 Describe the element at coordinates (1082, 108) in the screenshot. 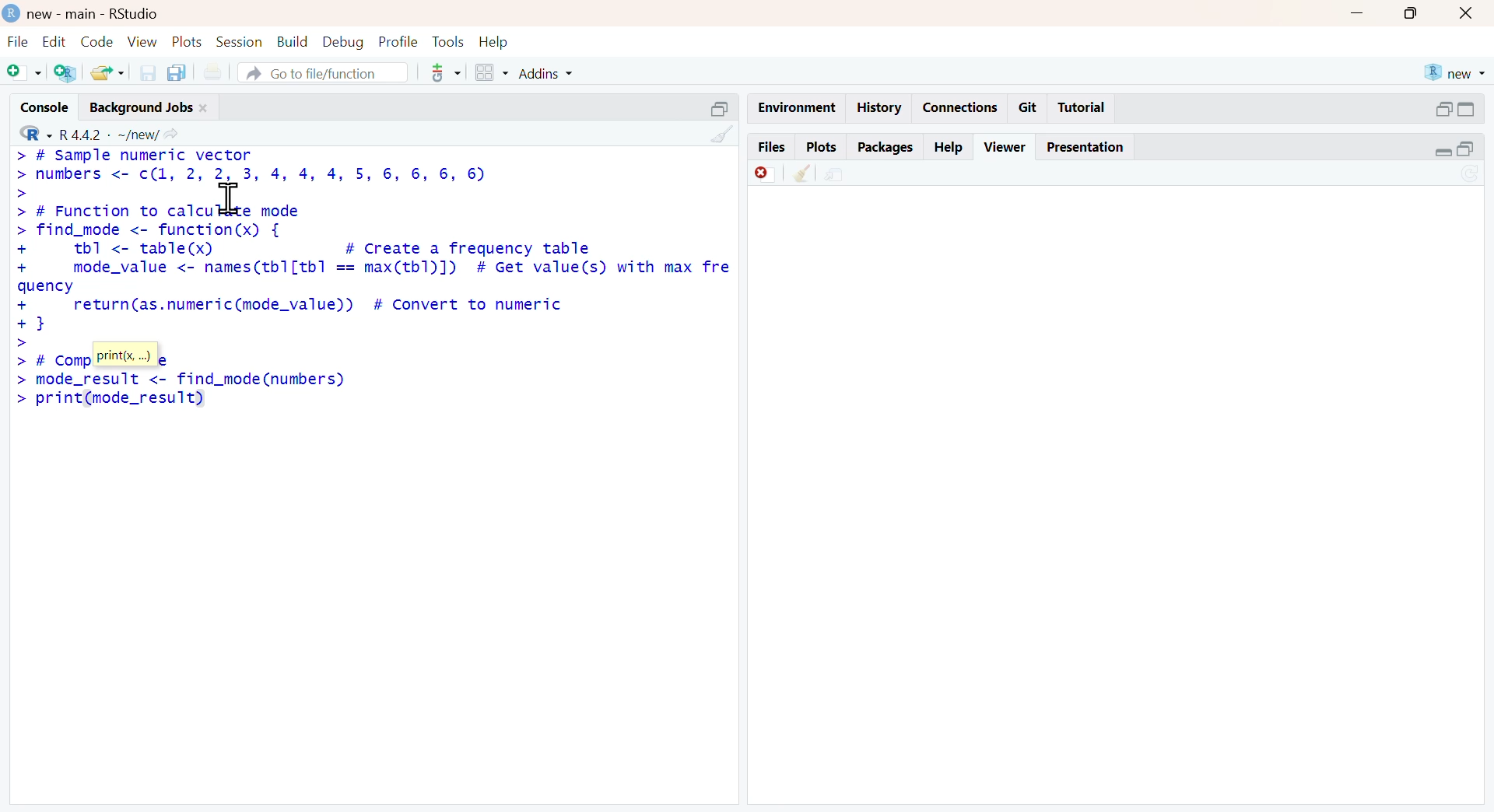

I see `tutorial` at that location.